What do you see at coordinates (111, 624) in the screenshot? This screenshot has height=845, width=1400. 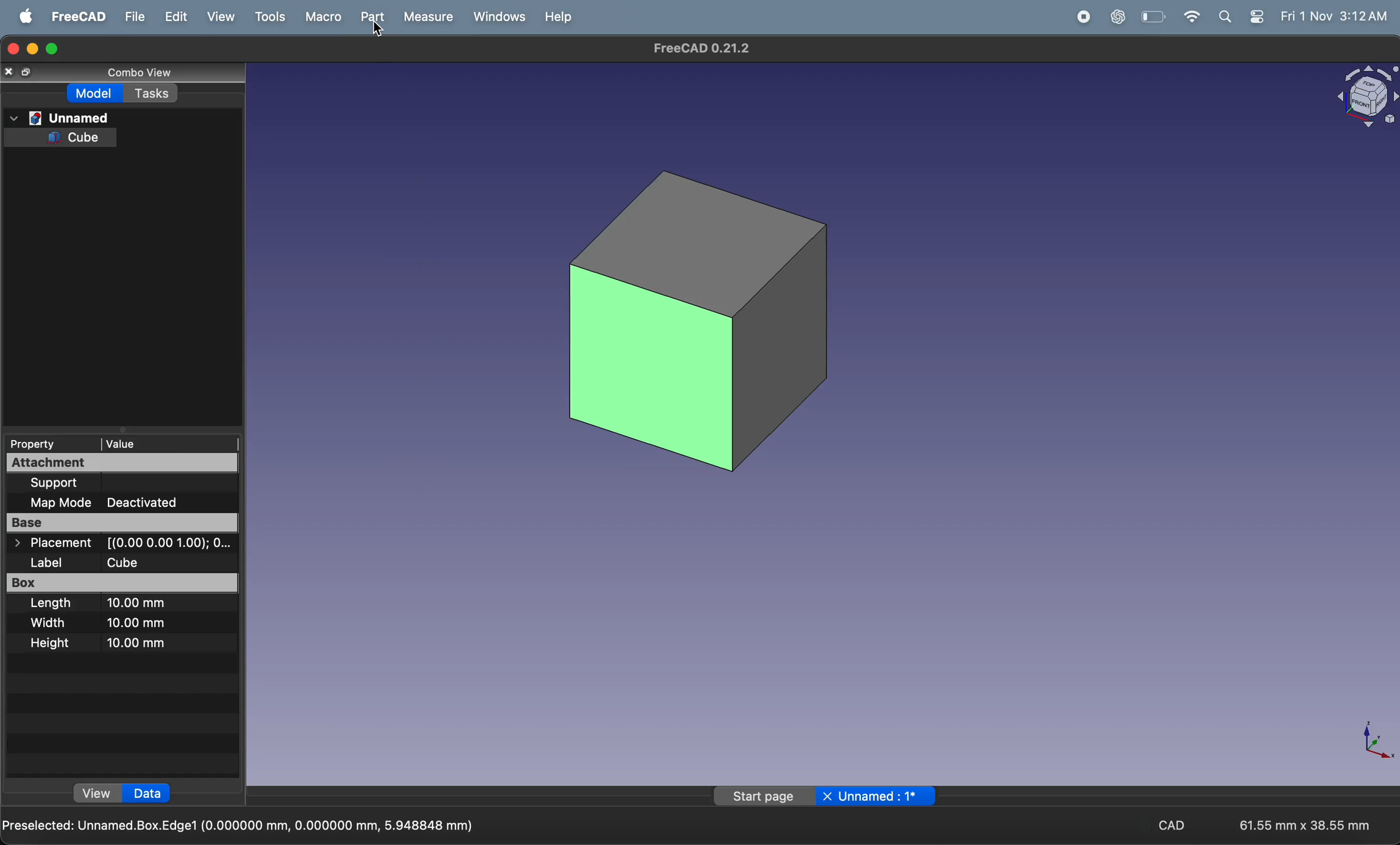 I see `Width      10.00 mm` at bounding box center [111, 624].